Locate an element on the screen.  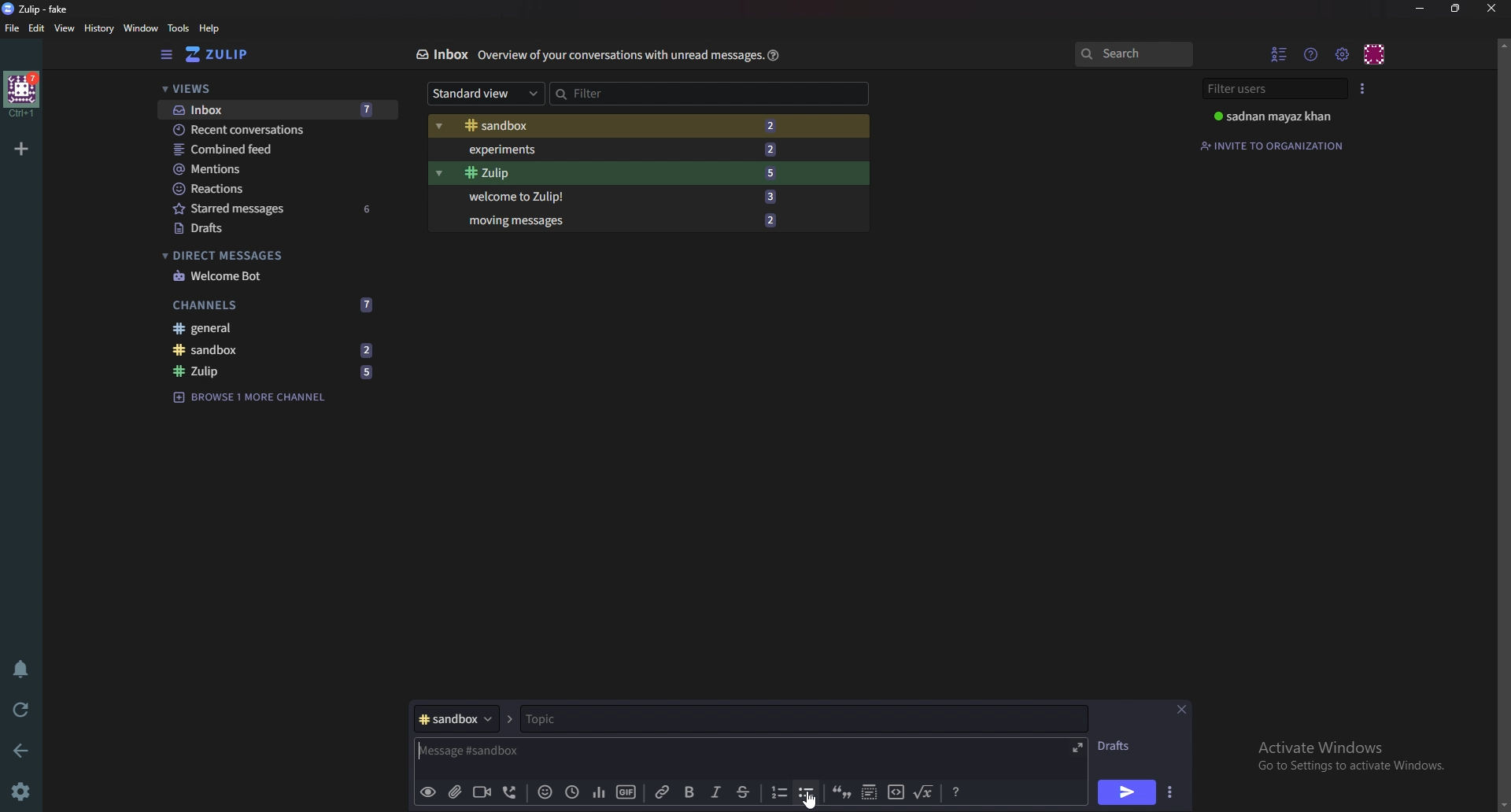
User list style is located at coordinates (1362, 88).